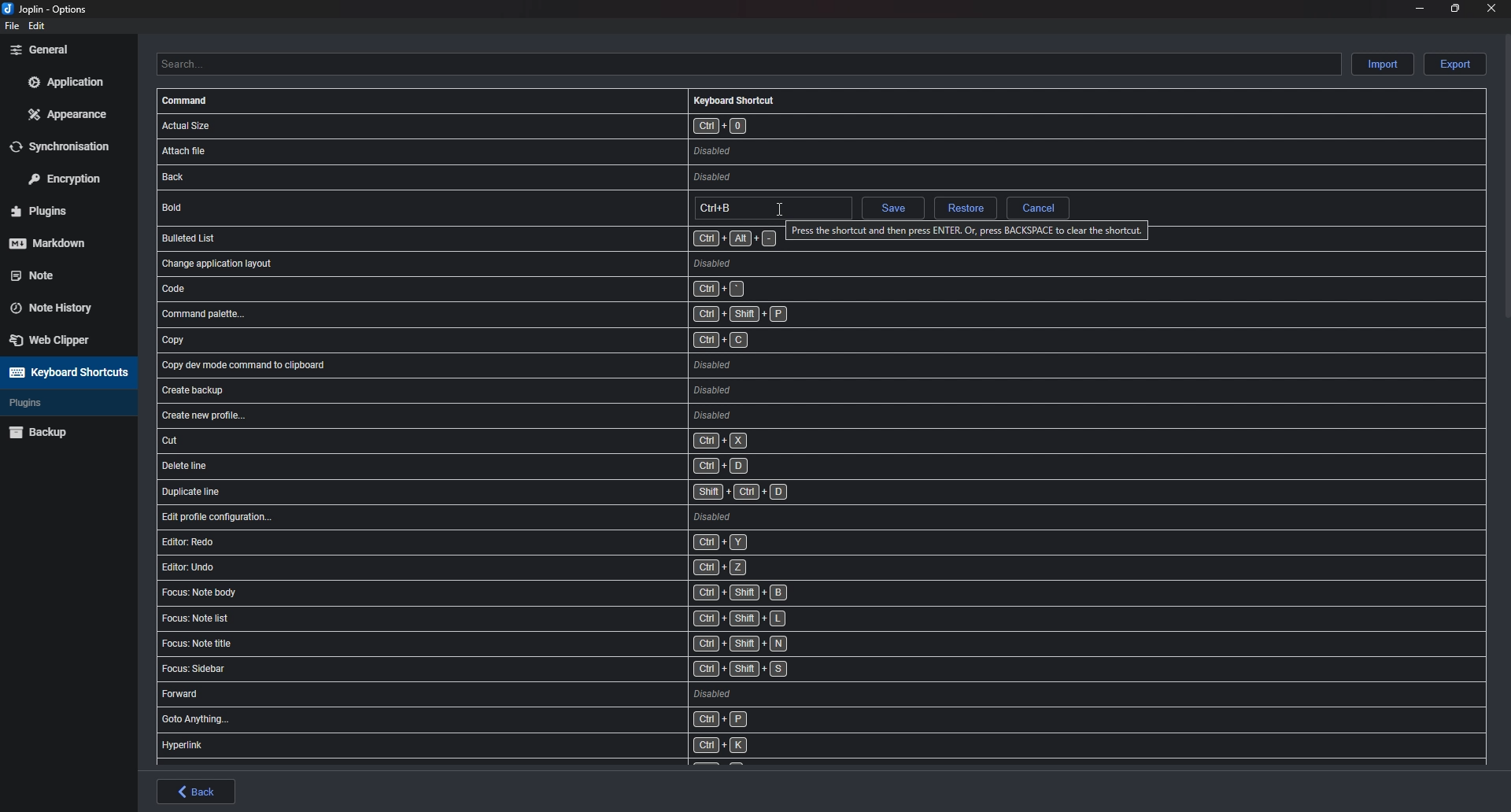 The height and width of the screenshot is (812, 1511). What do you see at coordinates (520, 567) in the screenshot?
I see `shortcut` at bounding box center [520, 567].